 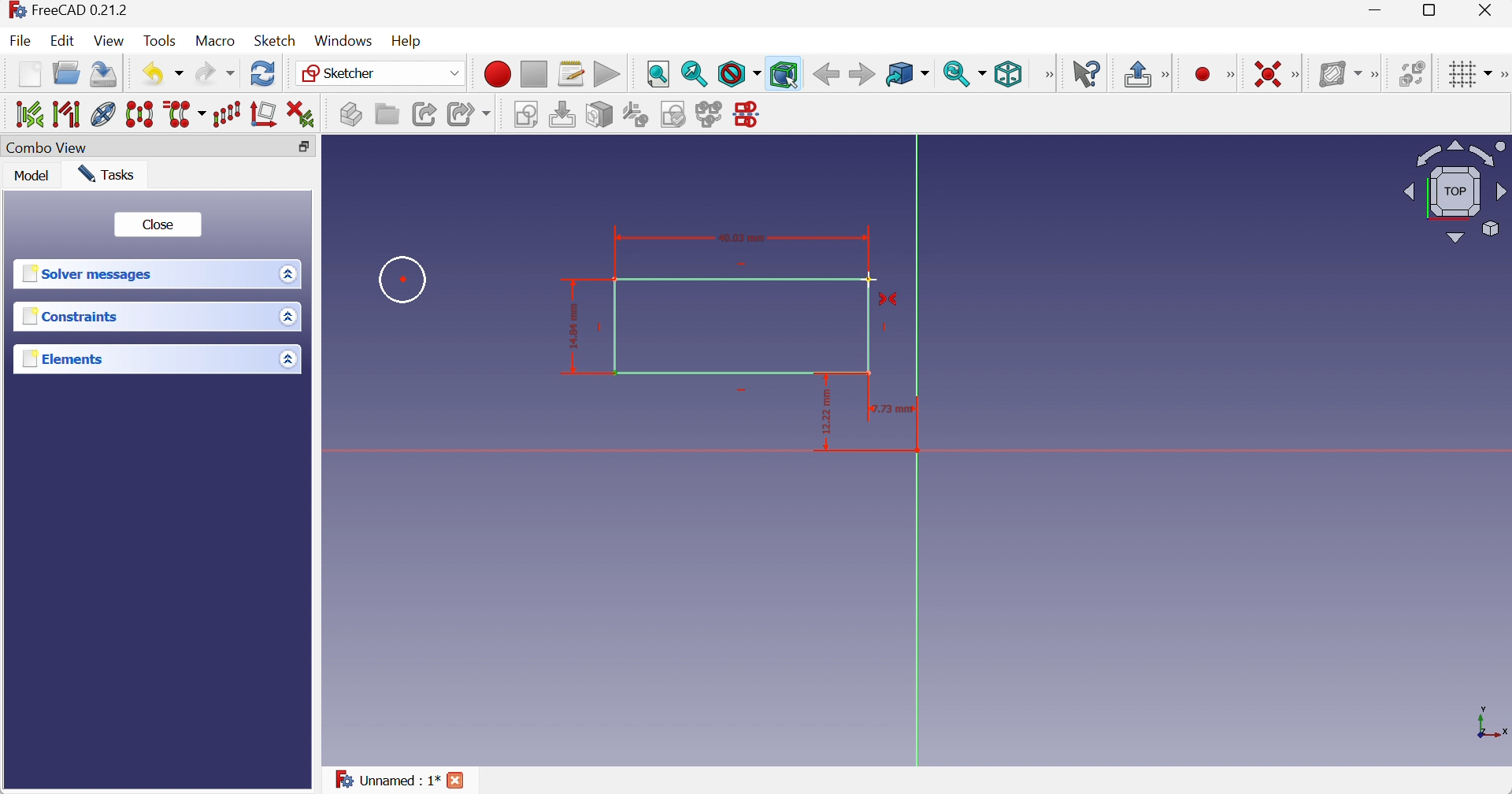 What do you see at coordinates (907, 75) in the screenshot?
I see `Go to linked object` at bounding box center [907, 75].